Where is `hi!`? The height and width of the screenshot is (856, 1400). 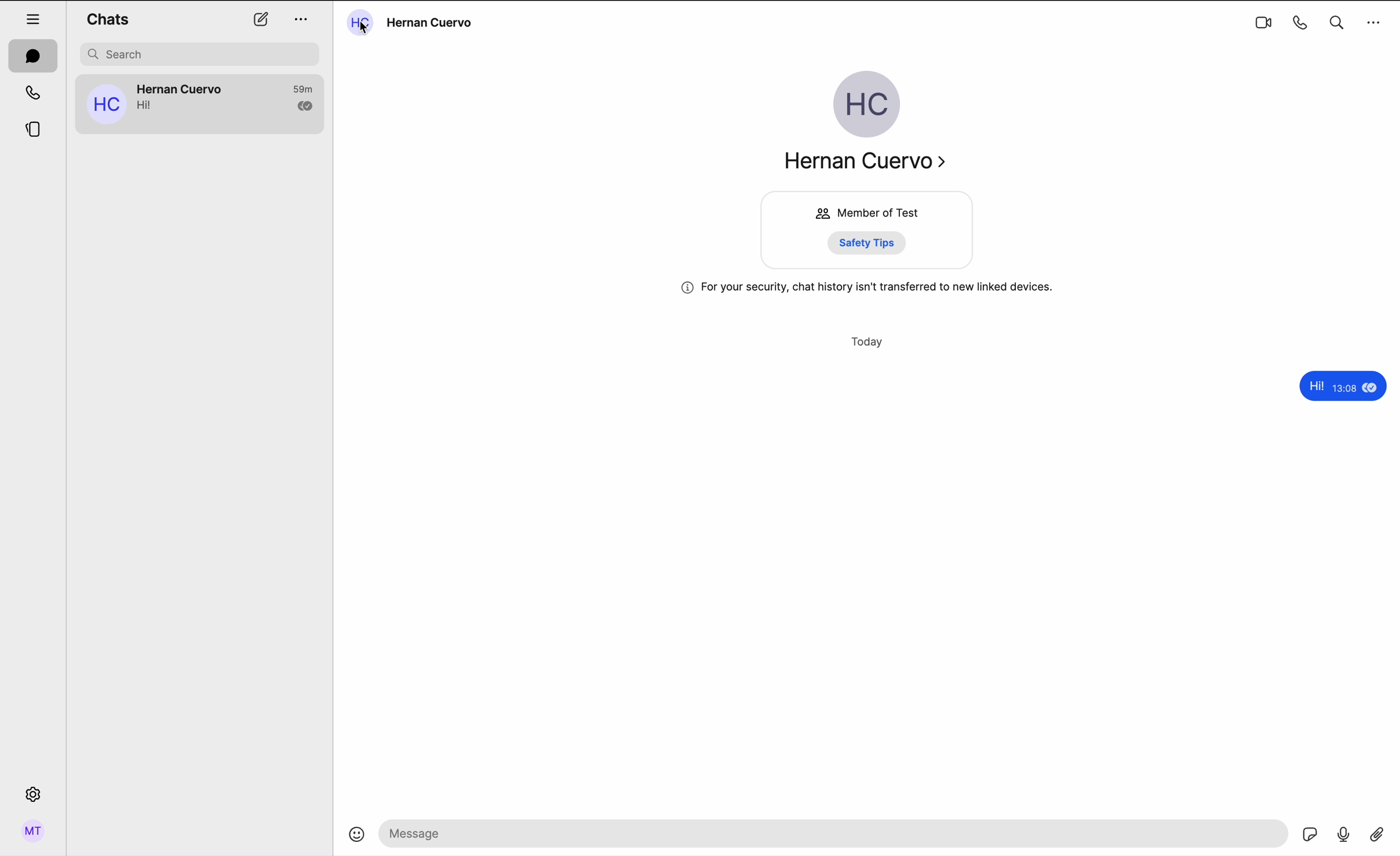 hi! is located at coordinates (1340, 386).